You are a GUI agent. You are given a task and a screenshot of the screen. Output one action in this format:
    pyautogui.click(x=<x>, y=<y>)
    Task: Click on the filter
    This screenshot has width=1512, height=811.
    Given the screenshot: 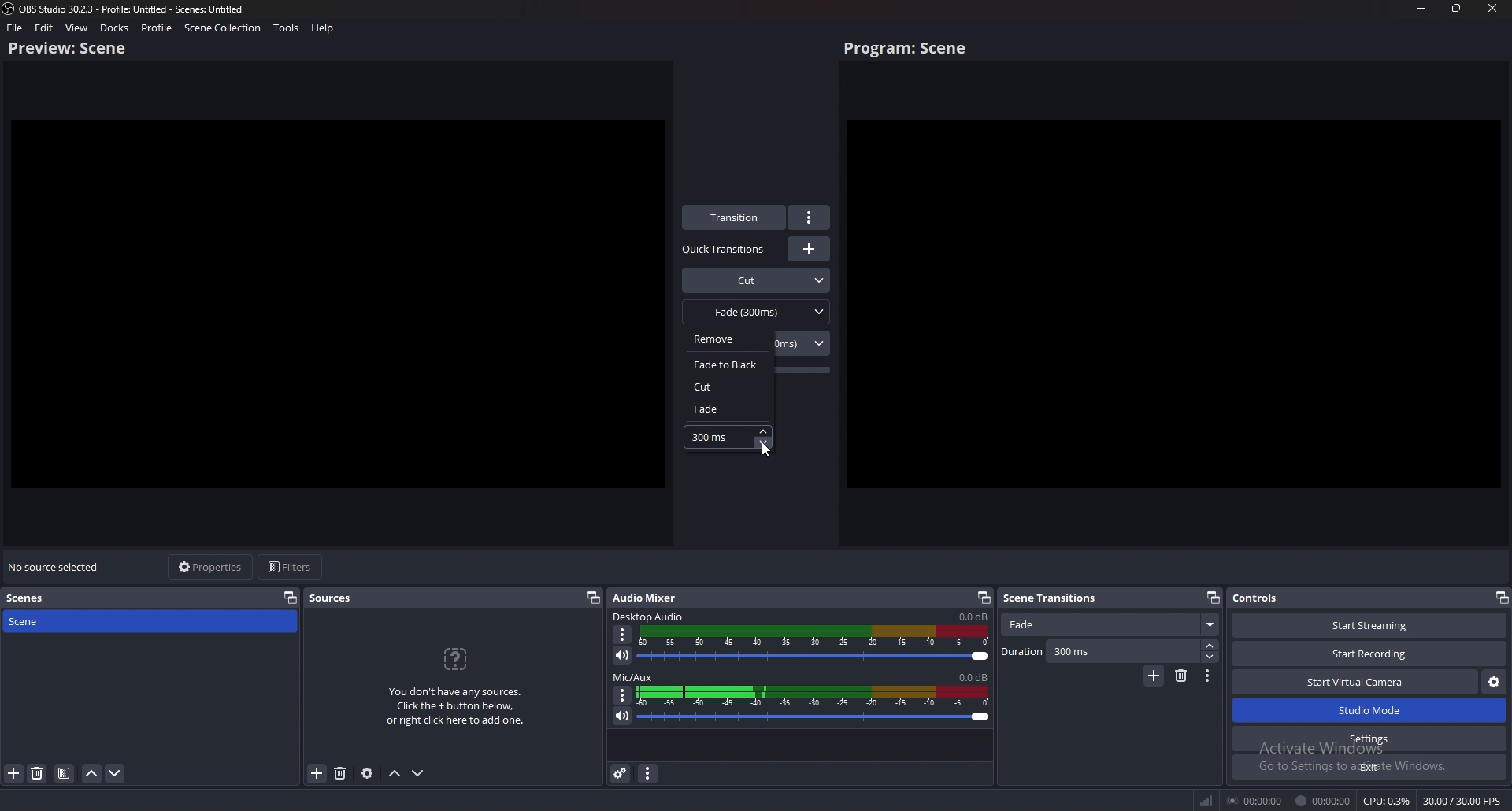 What is the action you would take?
    pyautogui.click(x=65, y=774)
    